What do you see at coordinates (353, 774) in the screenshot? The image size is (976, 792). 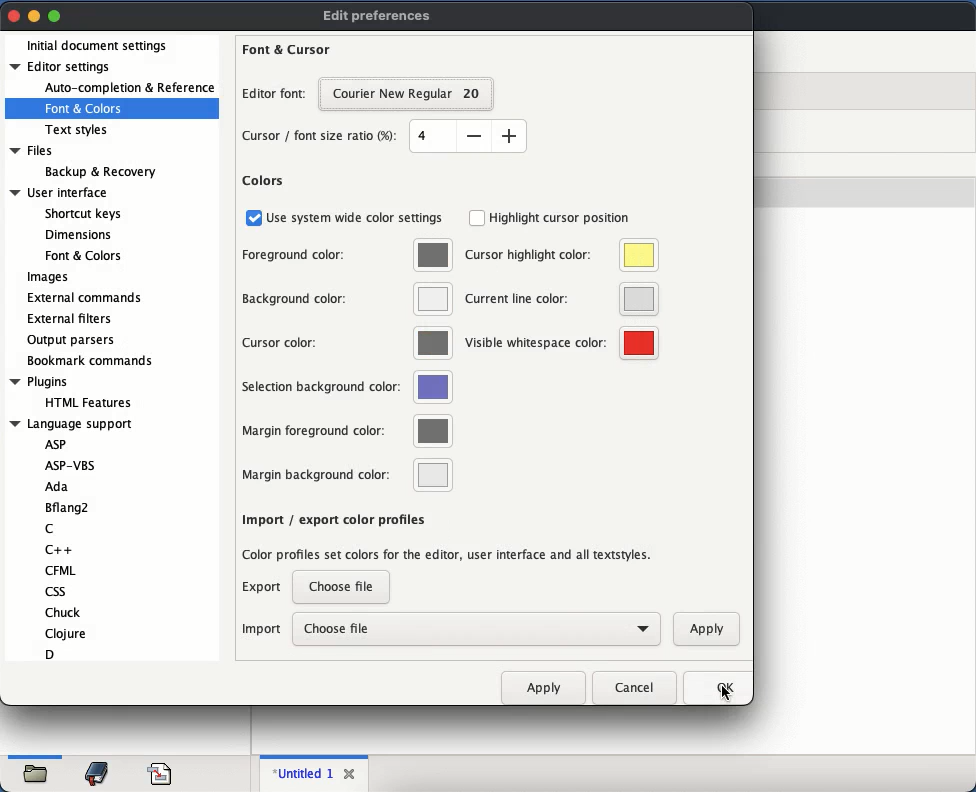 I see `close` at bounding box center [353, 774].